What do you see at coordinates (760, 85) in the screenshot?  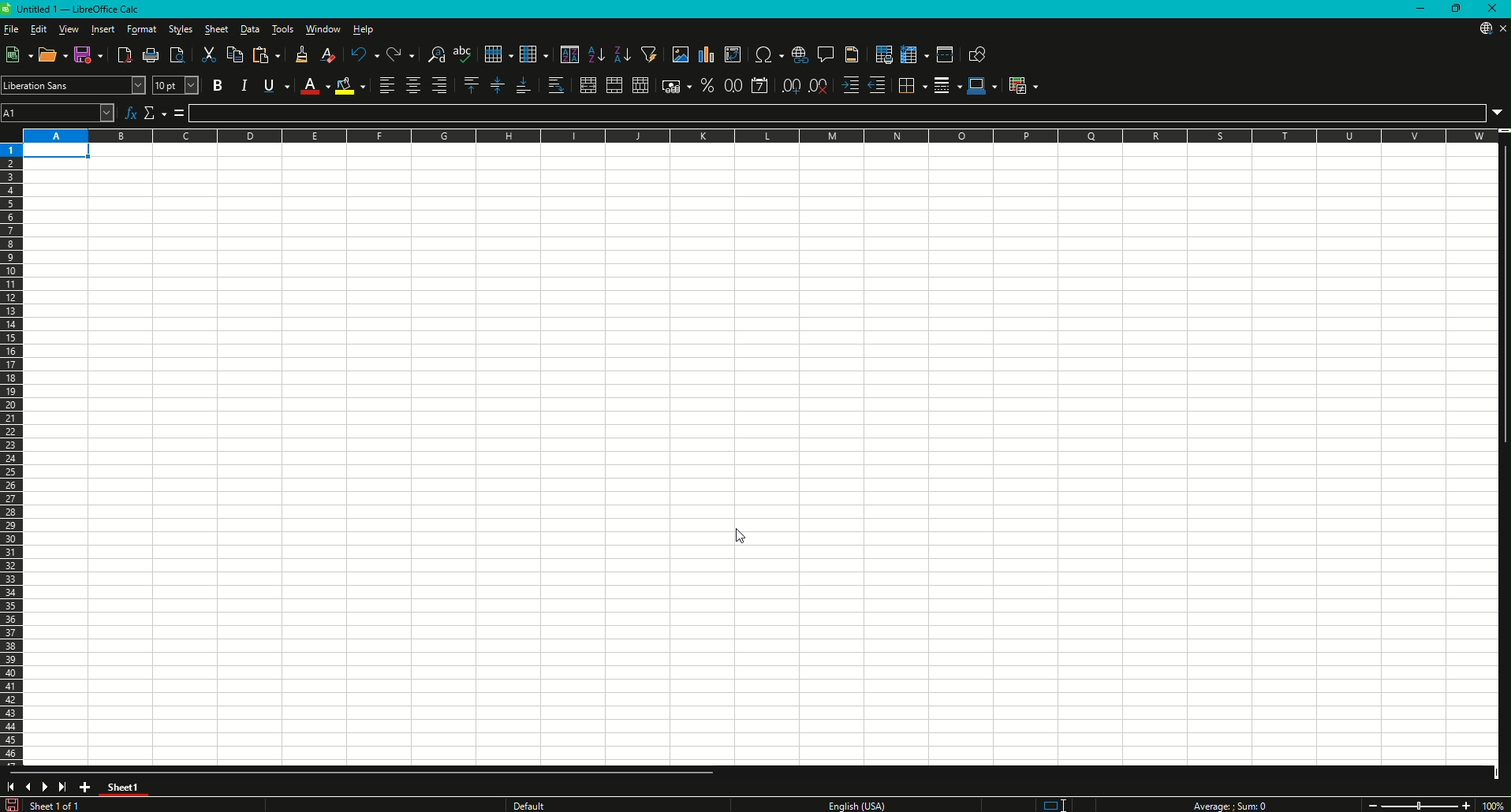 I see `Format as Date` at bounding box center [760, 85].